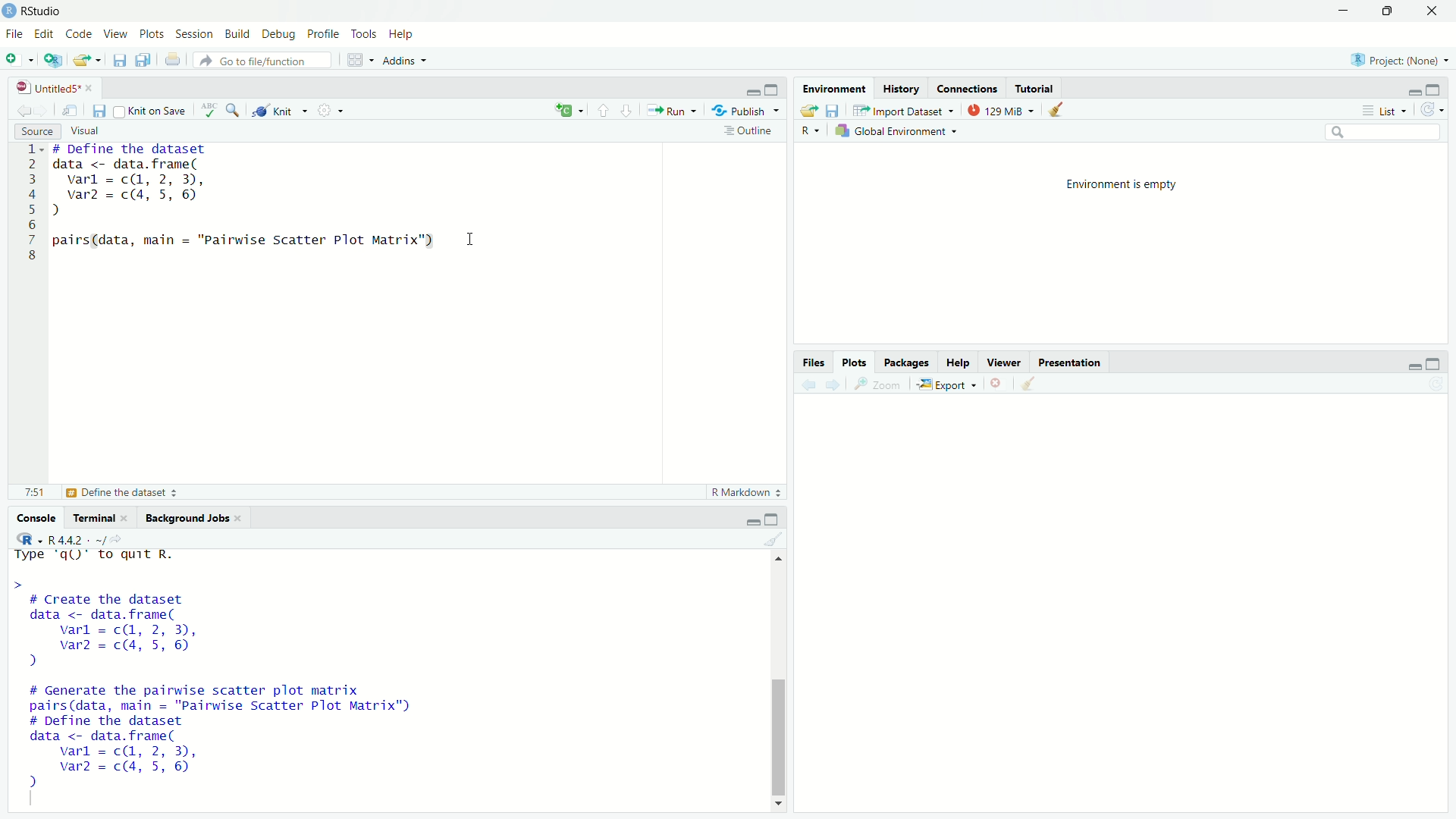  What do you see at coordinates (1388, 9) in the screenshot?
I see `Maximize/Restore` at bounding box center [1388, 9].